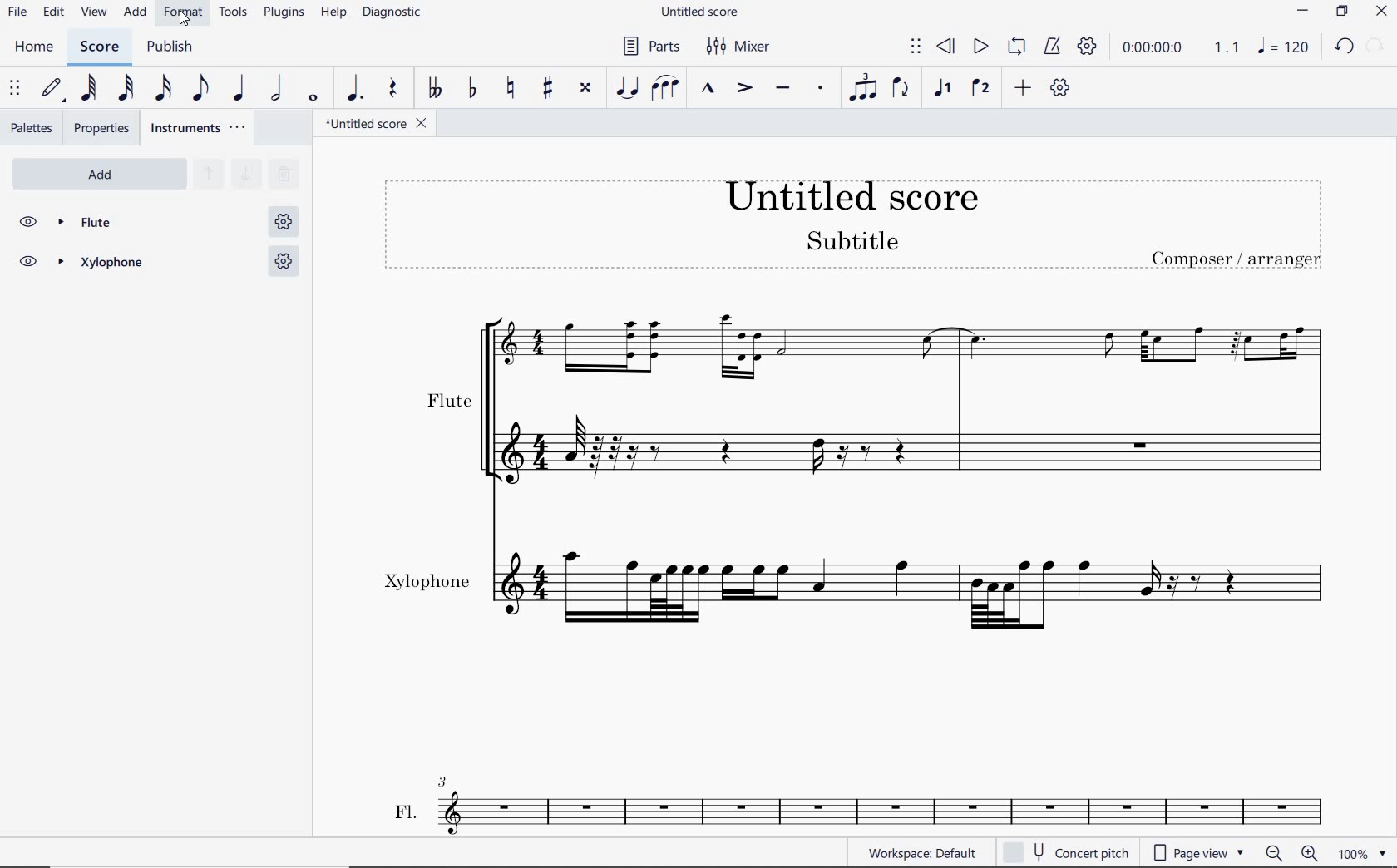 The image size is (1397, 868). I want to click on PUBLISH, so click(174, 47).